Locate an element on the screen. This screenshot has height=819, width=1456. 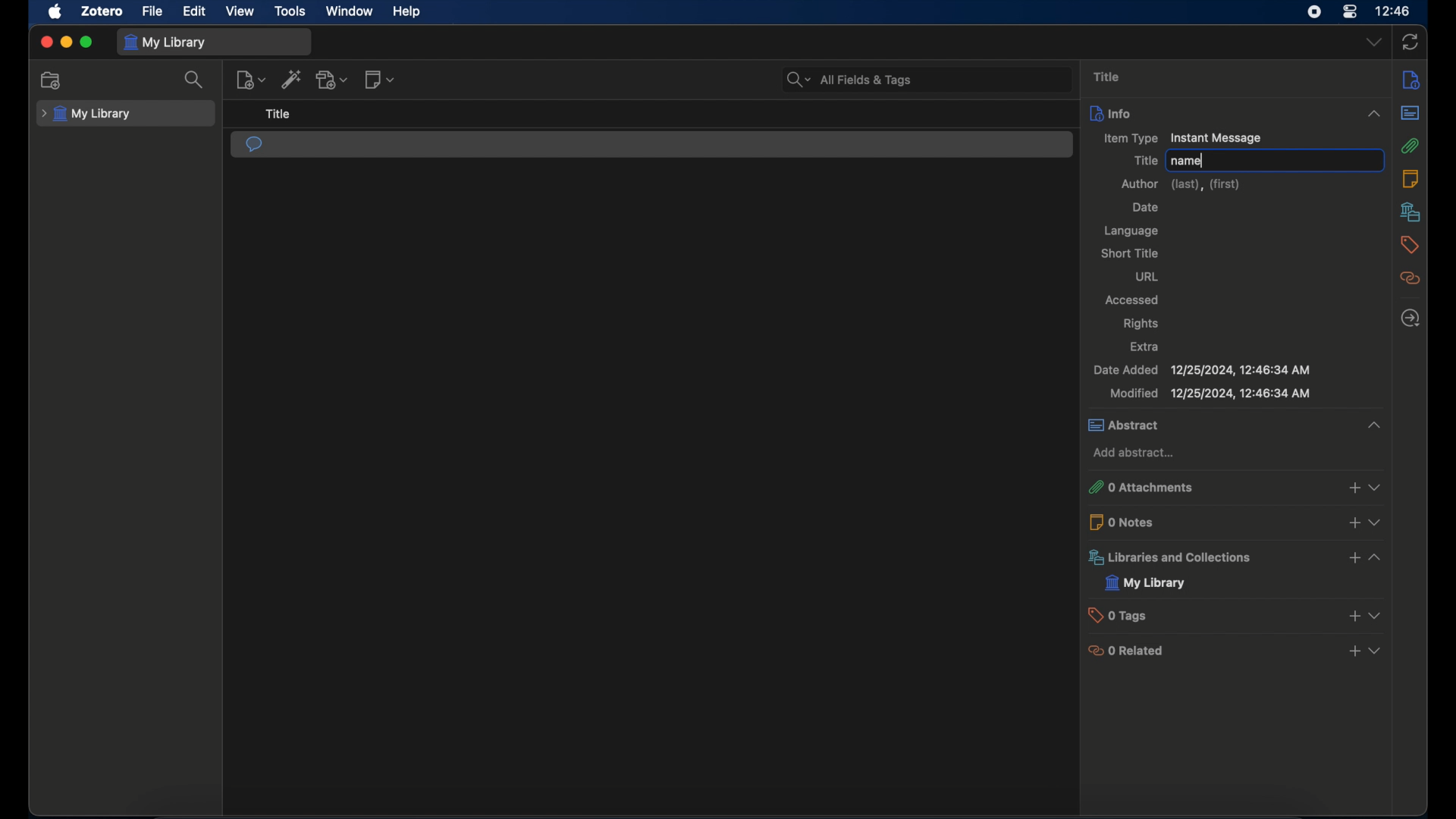
abstract is located at coordinates (1411, 114).